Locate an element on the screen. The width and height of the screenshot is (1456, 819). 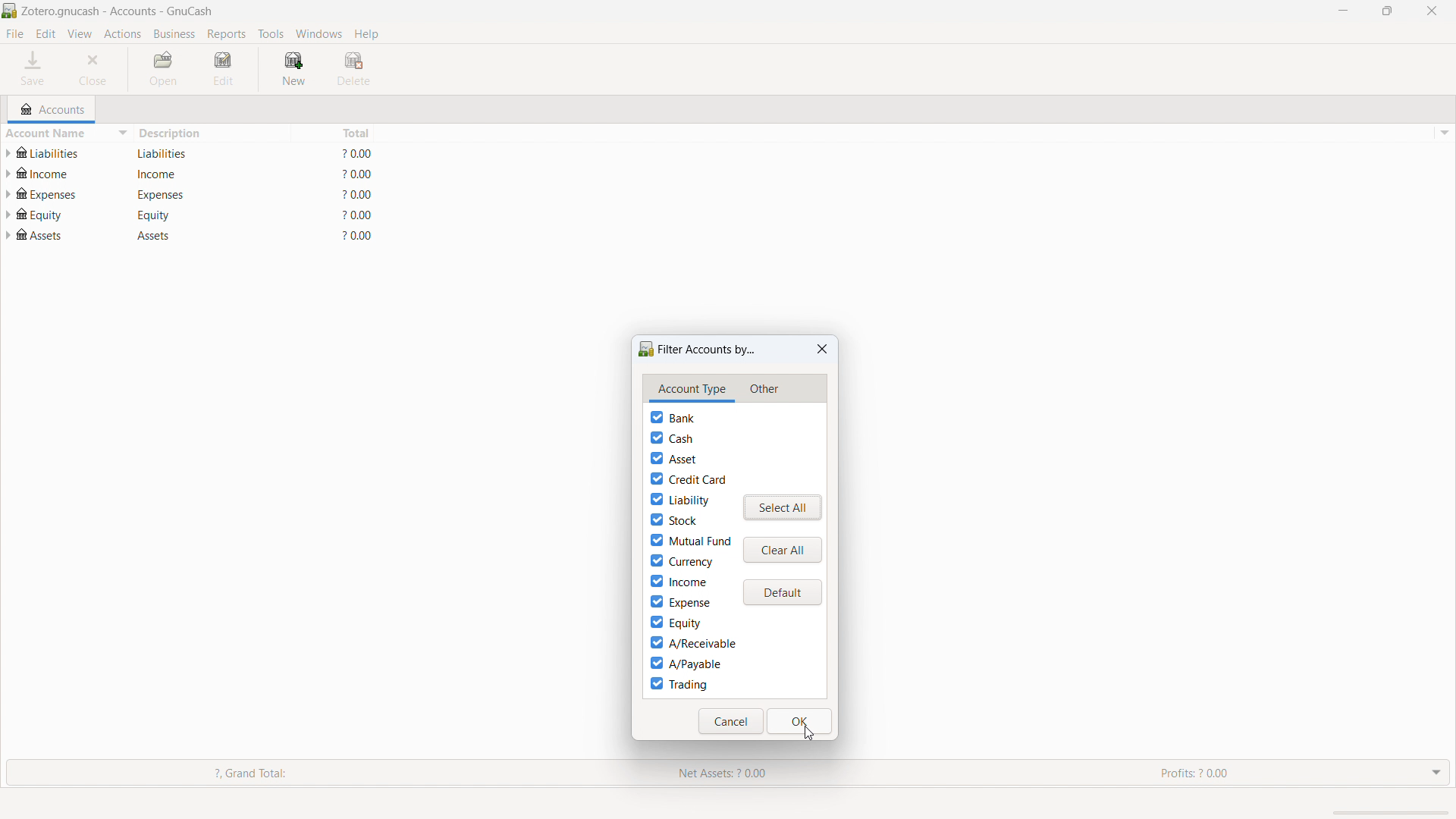
scrollbar is located at coordinates (1394, 813).